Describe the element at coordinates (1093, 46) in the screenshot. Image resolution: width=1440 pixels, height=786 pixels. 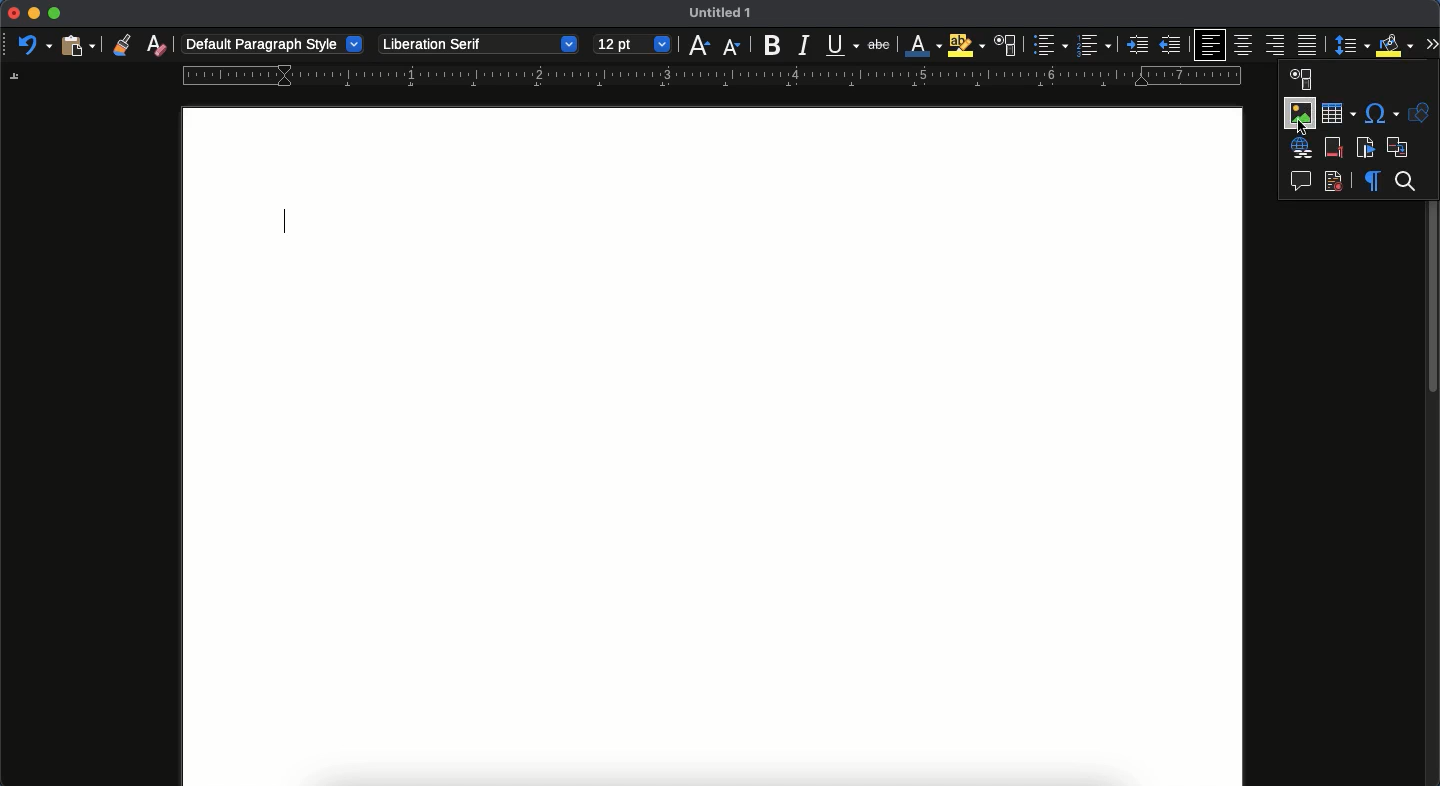
I see `number bullet` at that location.